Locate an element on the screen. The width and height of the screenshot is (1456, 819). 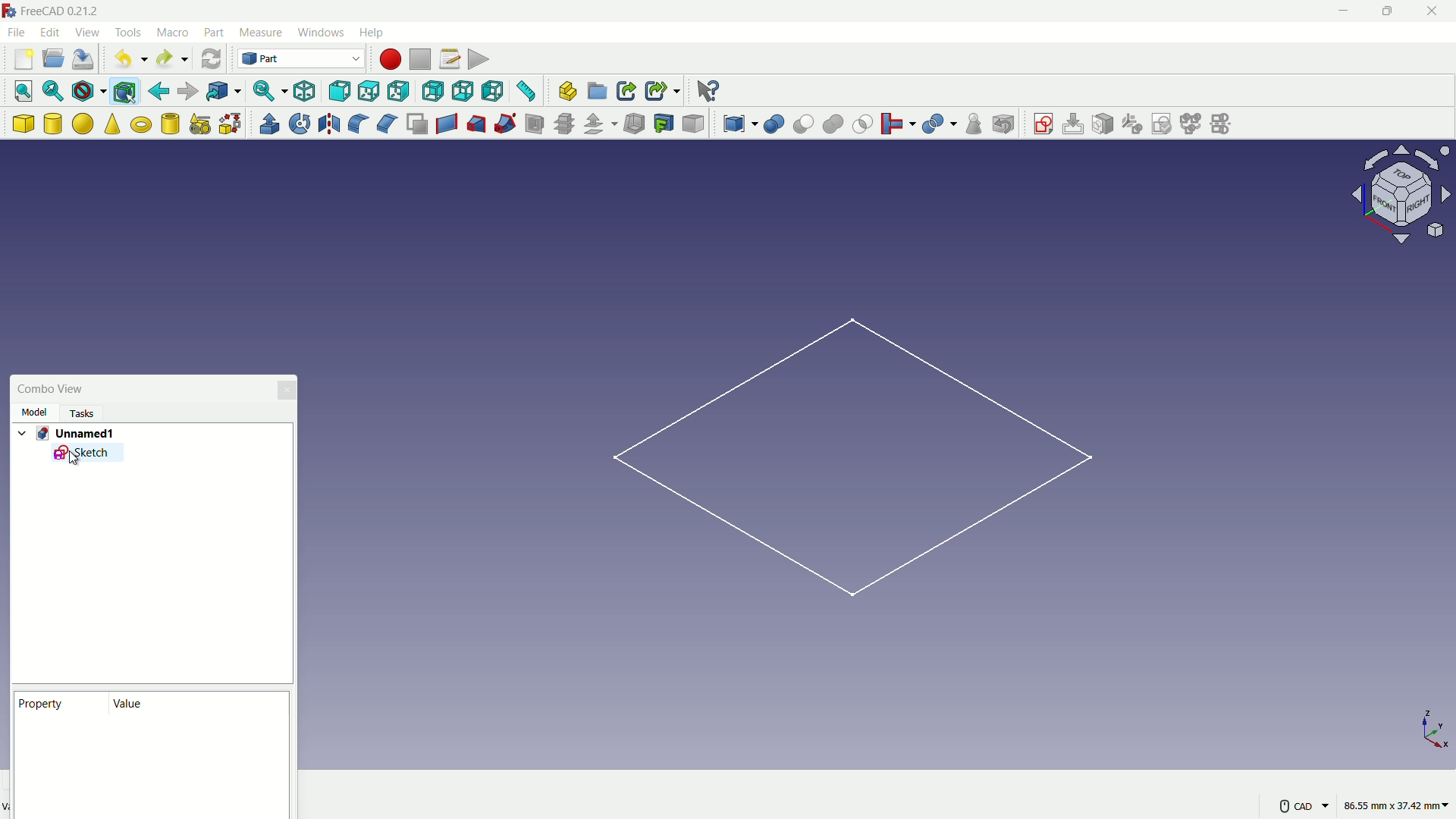
rotate  direction is located at coordinates (1405, 193).